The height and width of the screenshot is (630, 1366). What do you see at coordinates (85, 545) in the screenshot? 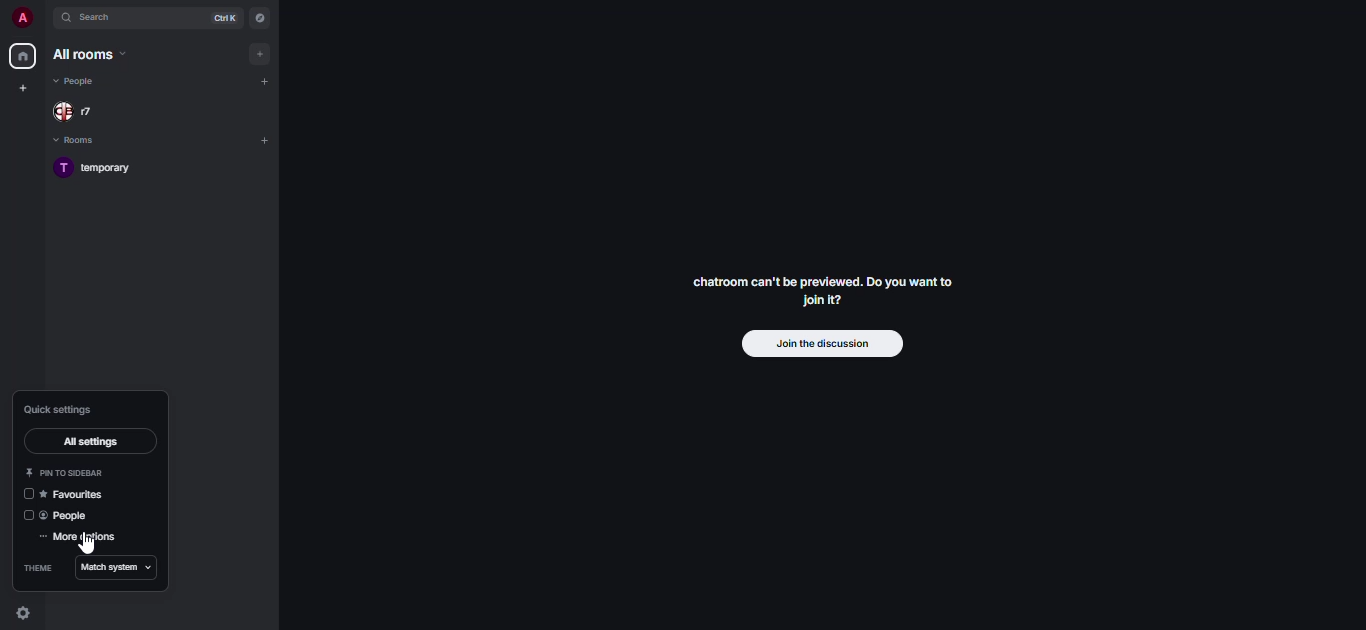
I see `cursor` at bounding box center [85, 545].